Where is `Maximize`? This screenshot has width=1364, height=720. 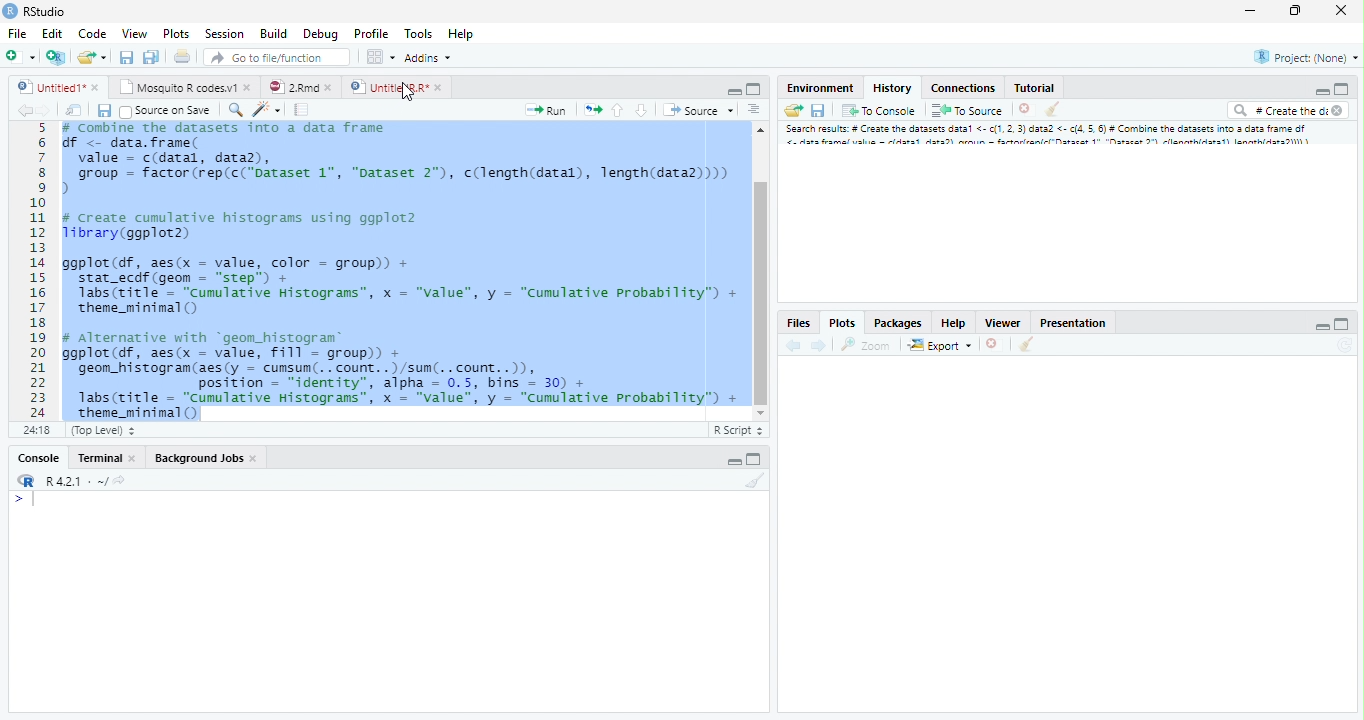 Maximize is located at coordinates (754, 88).